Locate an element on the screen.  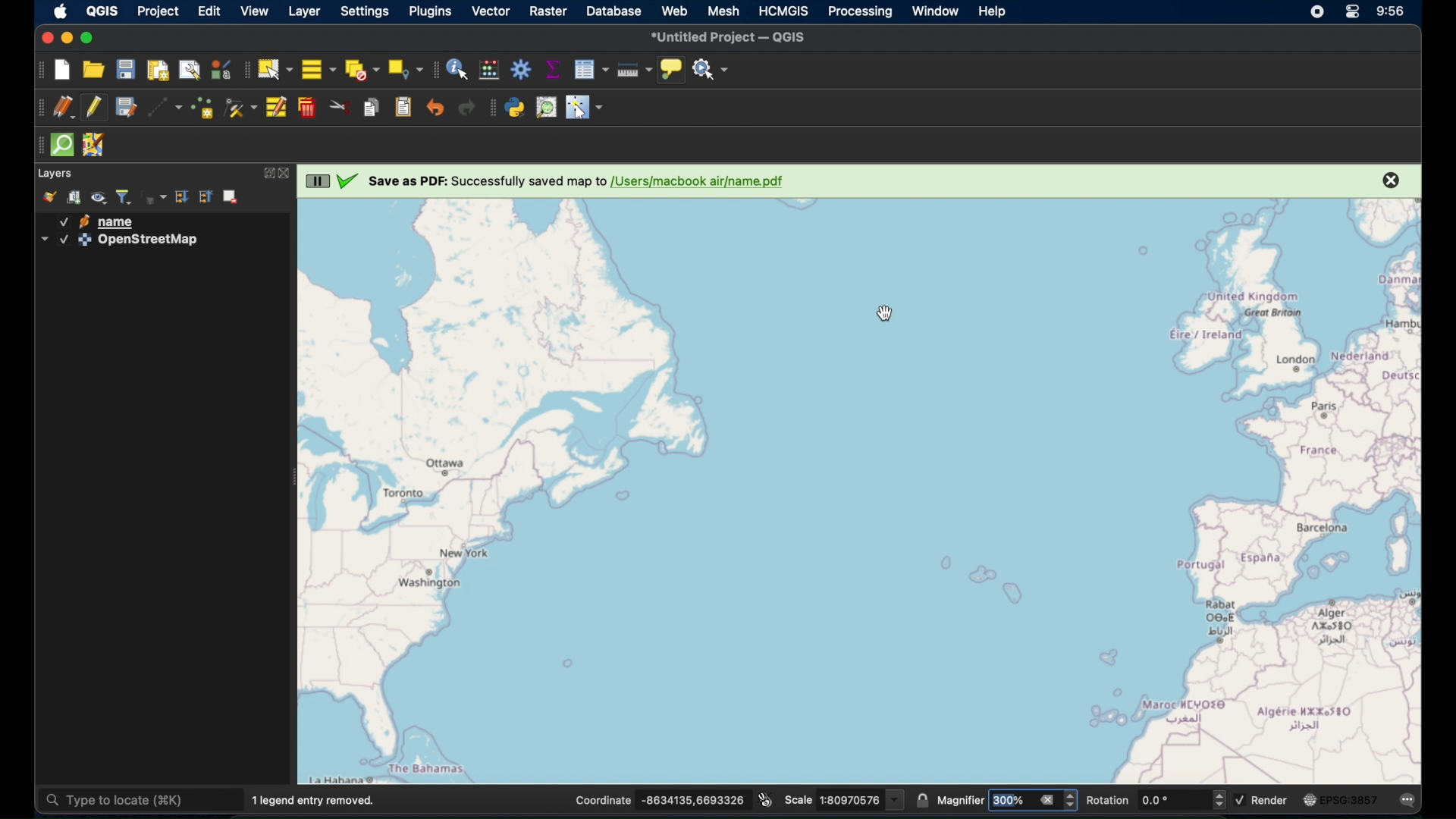
Save as PDF: Successfully saved map to /Users/macbook air/name.pdf is located at coordinates (576, 182).